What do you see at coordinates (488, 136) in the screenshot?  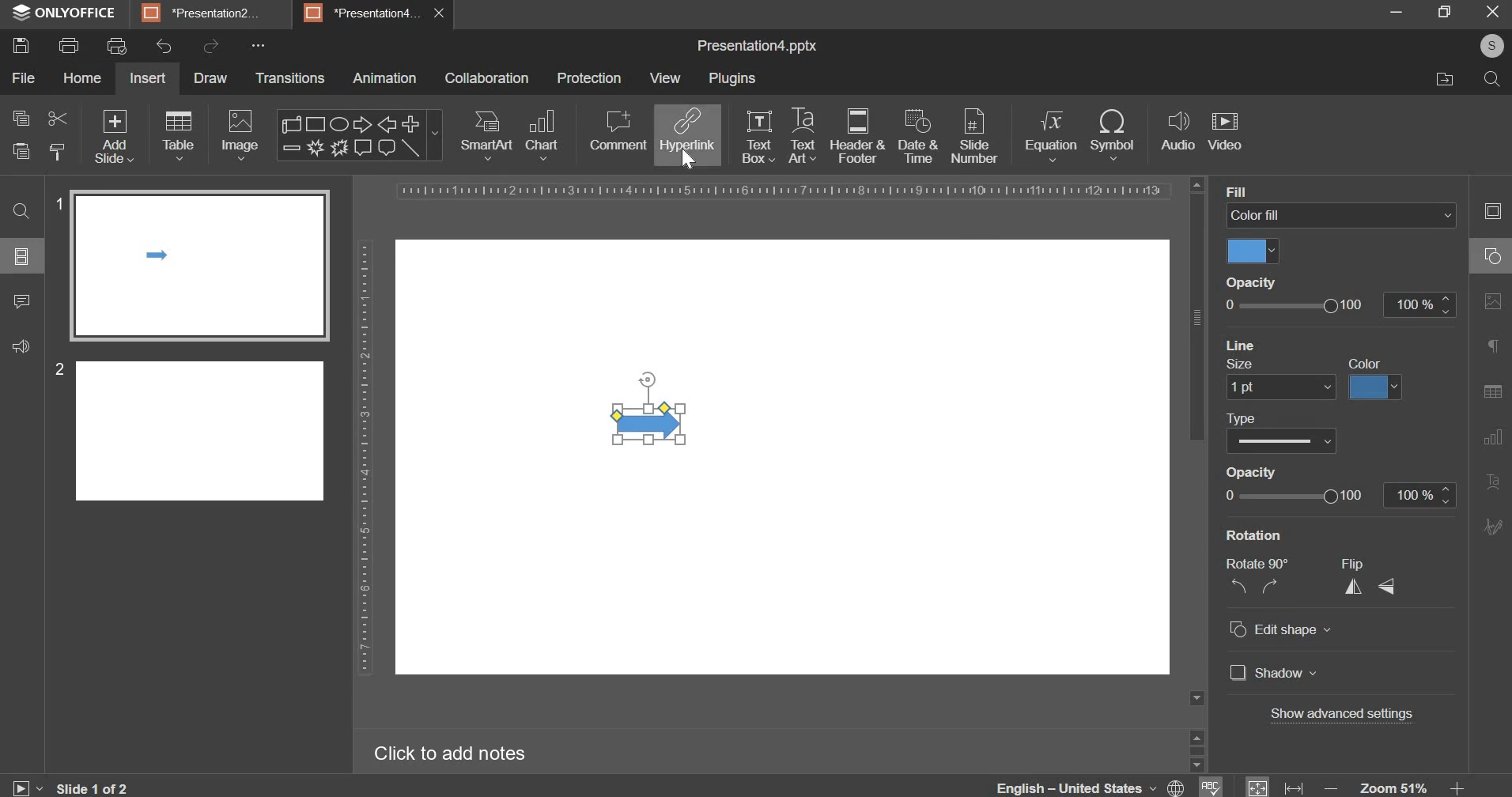 I see `smart art` at bounding box center [488, 136].